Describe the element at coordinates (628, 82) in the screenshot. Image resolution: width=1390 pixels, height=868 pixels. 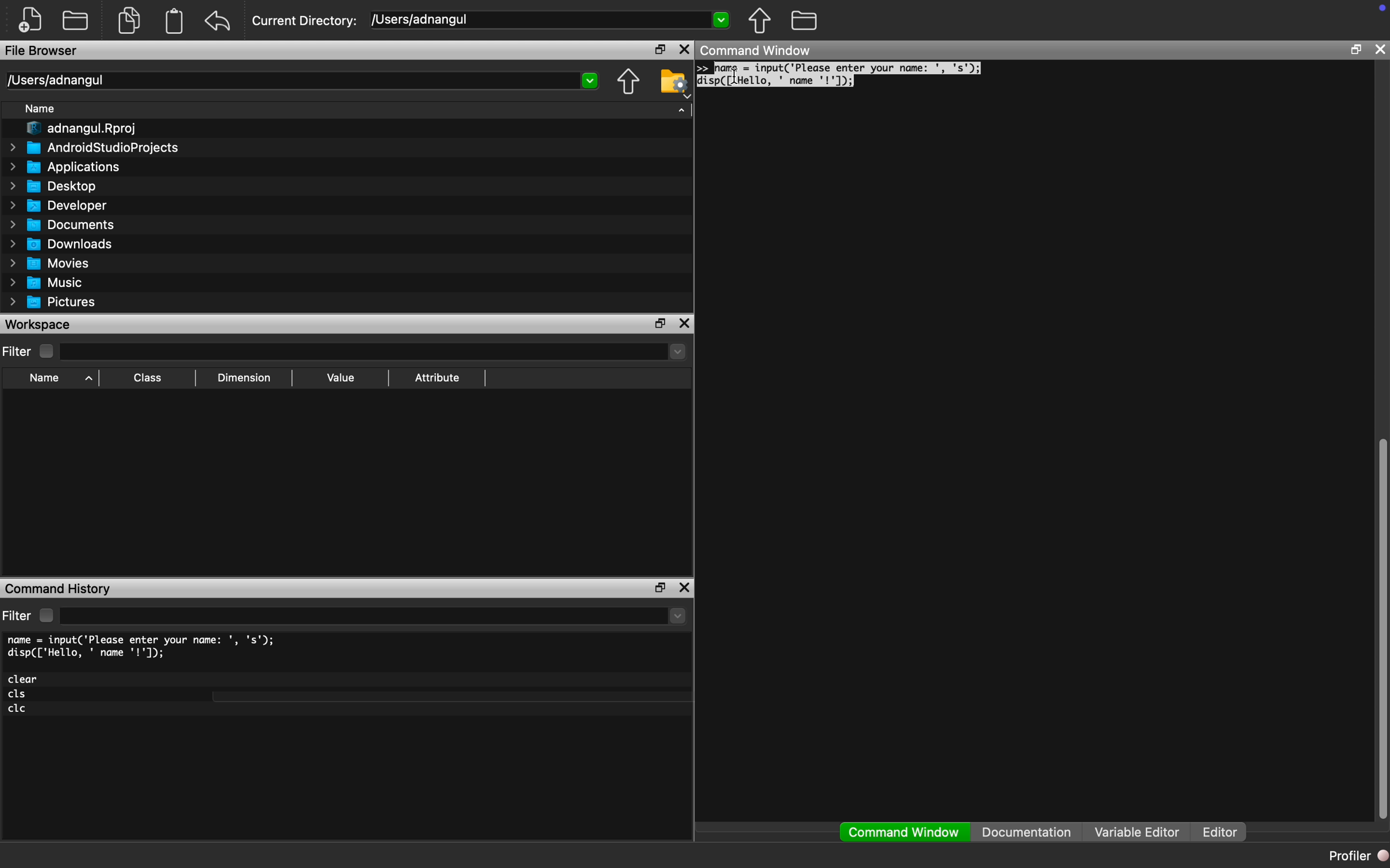
I see `Previous file` at that location.